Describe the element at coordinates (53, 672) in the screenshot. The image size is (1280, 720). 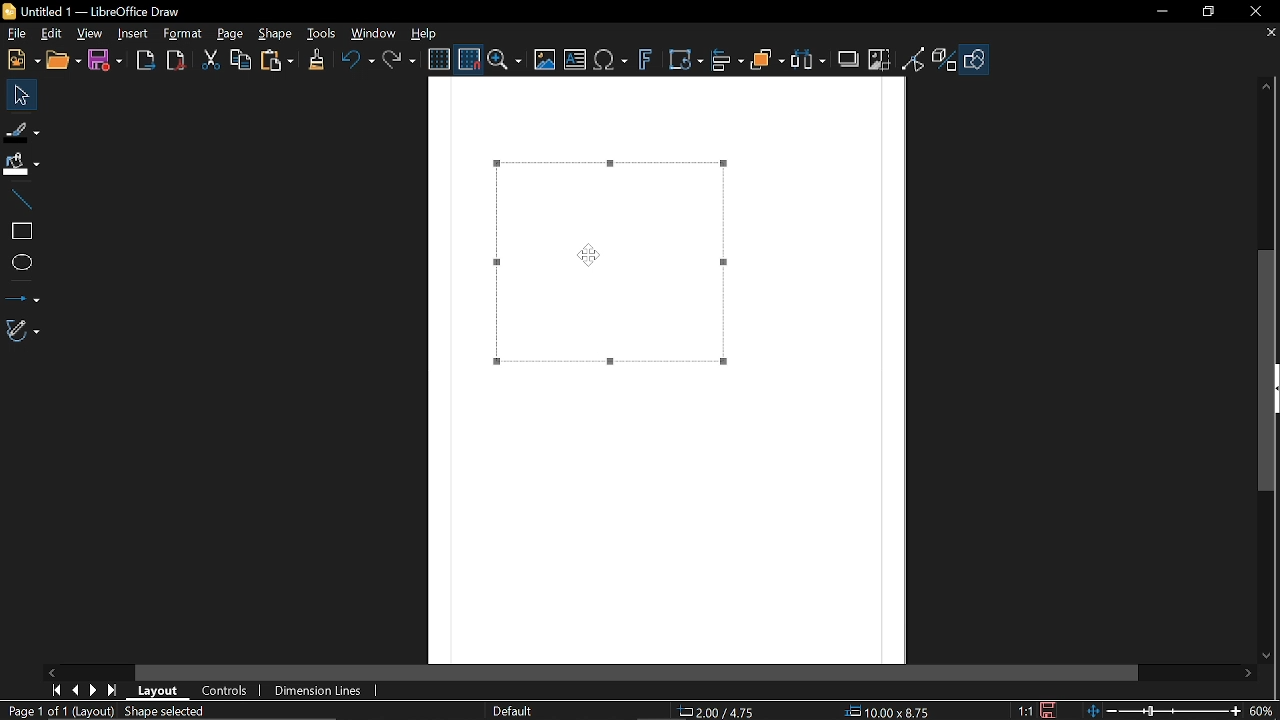
I see `Move right` at that location.